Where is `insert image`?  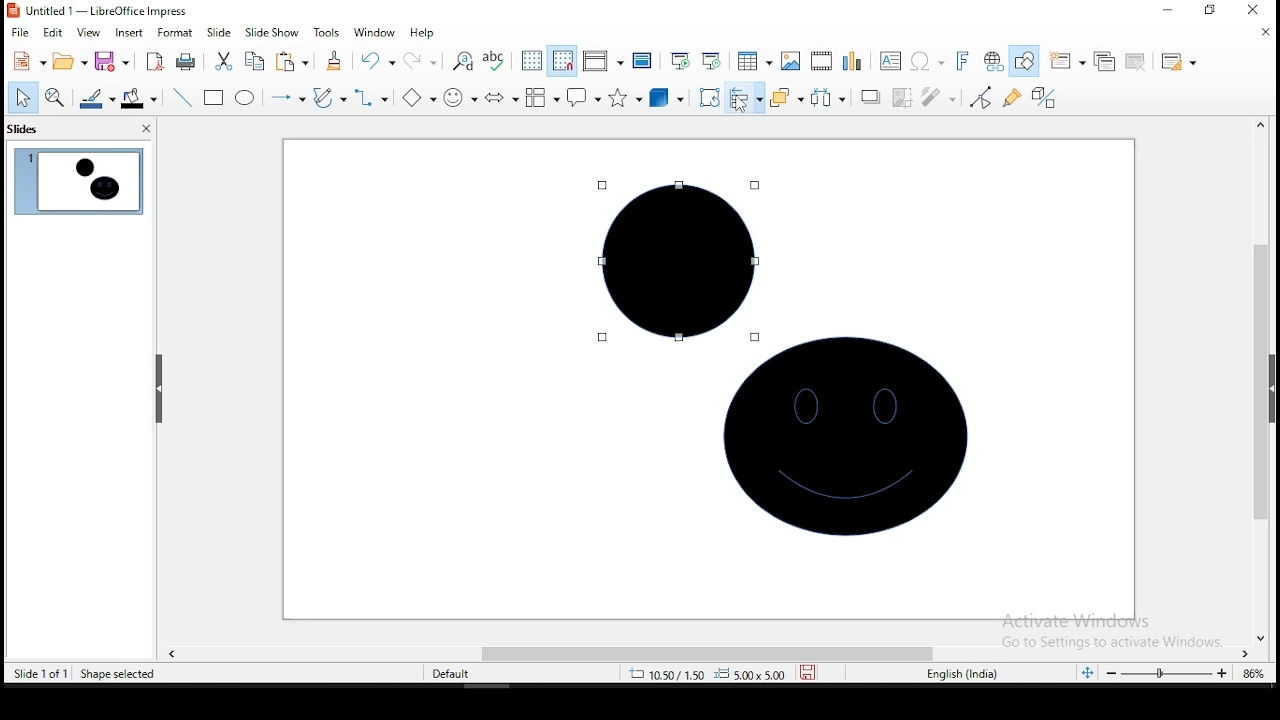
insert image is located at coordinates (788, 62).